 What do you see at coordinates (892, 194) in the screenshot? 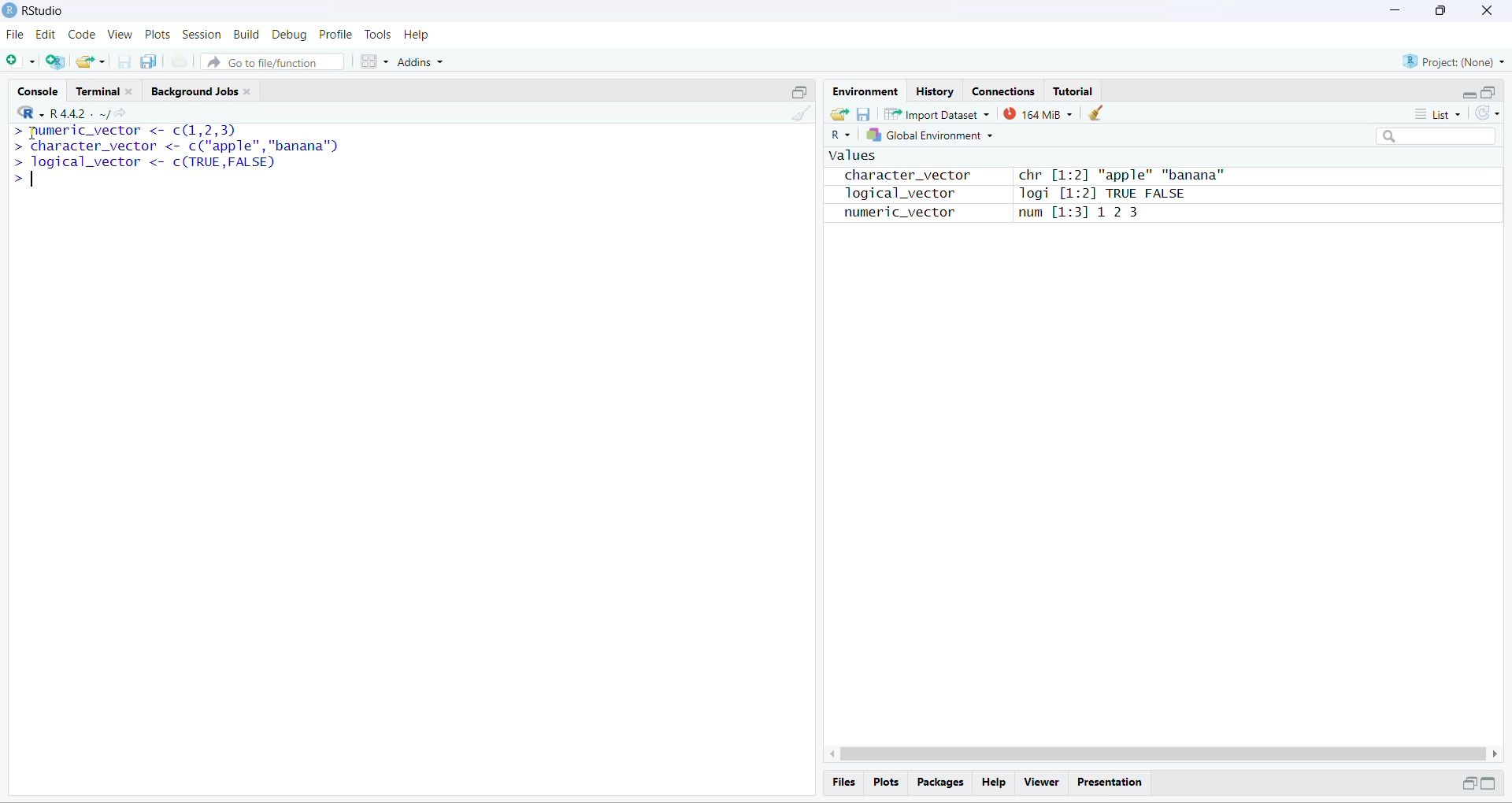
I see `logical_vector` at bounding box center [892, 194].